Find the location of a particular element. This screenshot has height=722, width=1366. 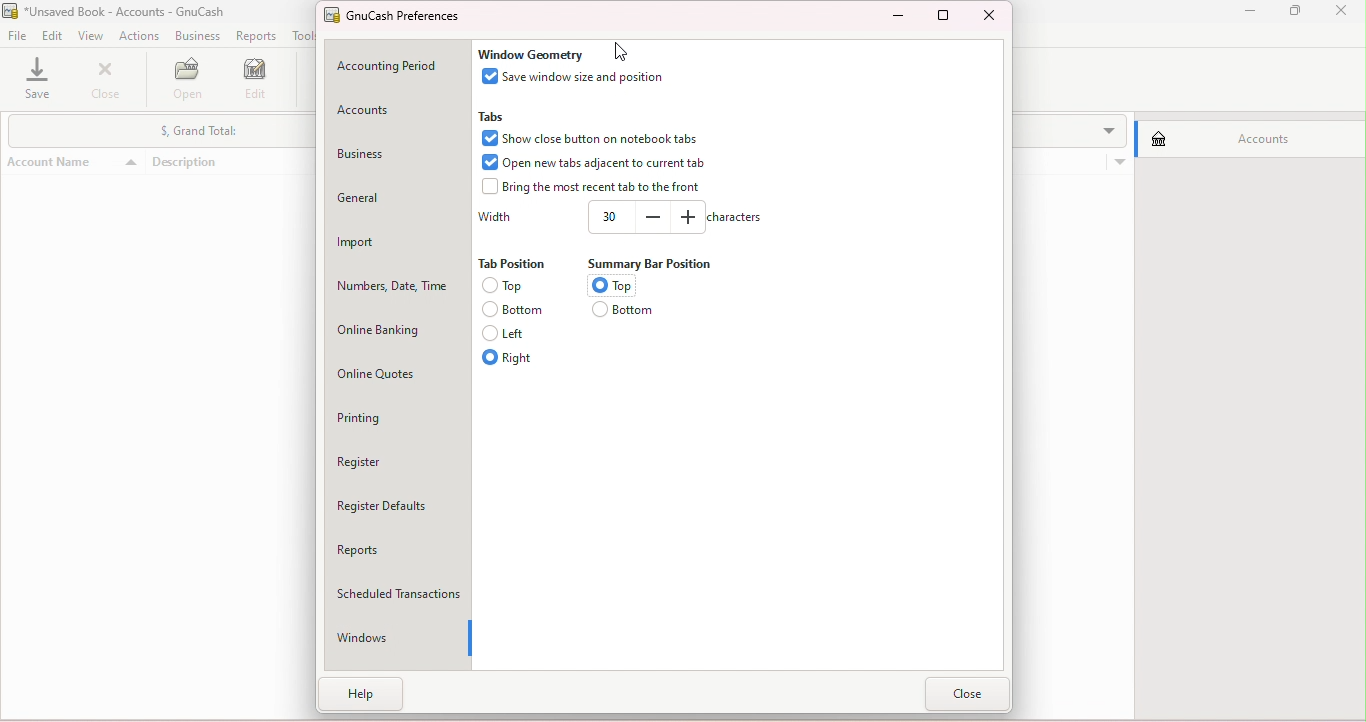

Width is located at coordinates (493, 218).